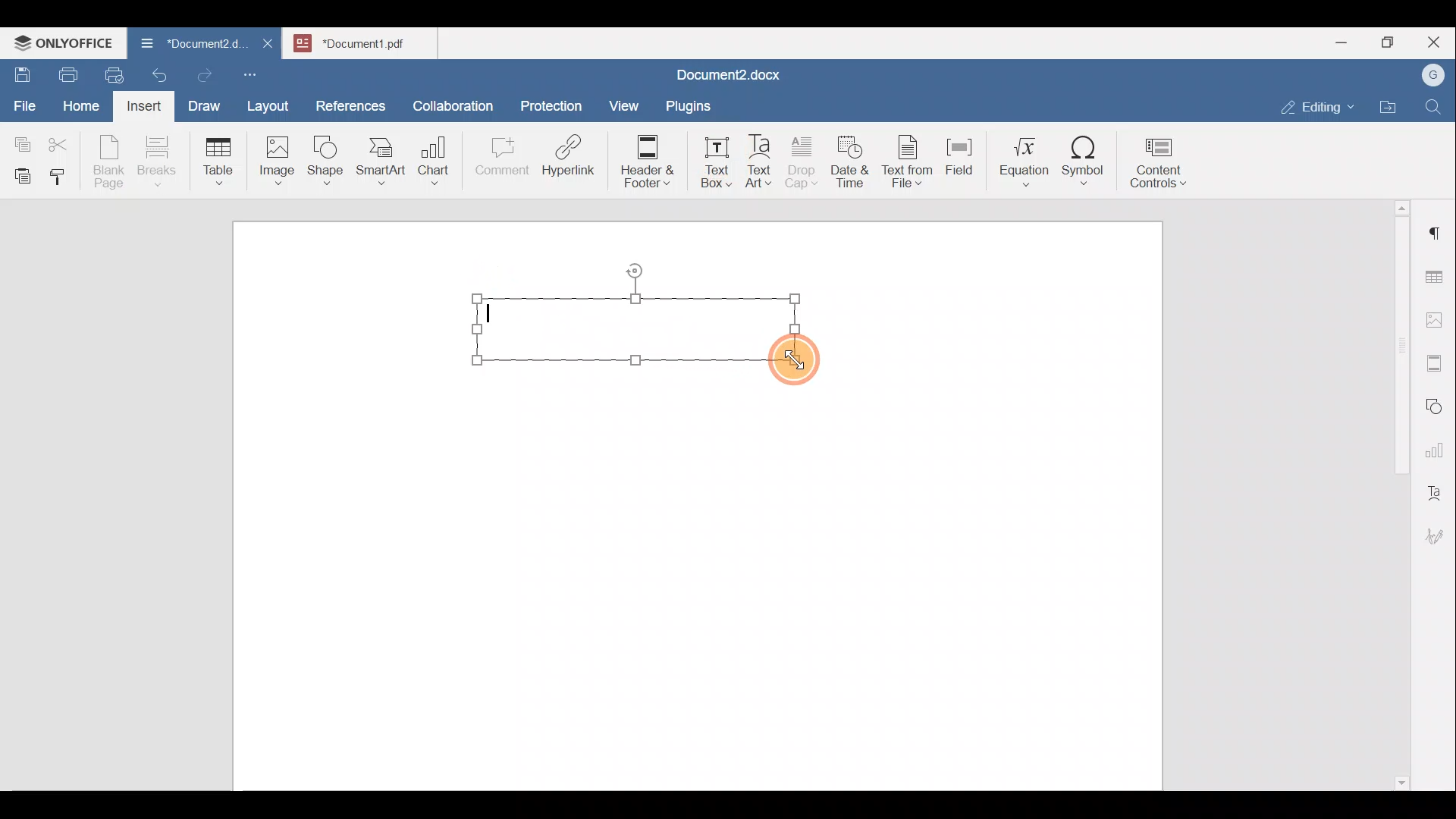  I want to click on Symbol, so click(1084, 165).